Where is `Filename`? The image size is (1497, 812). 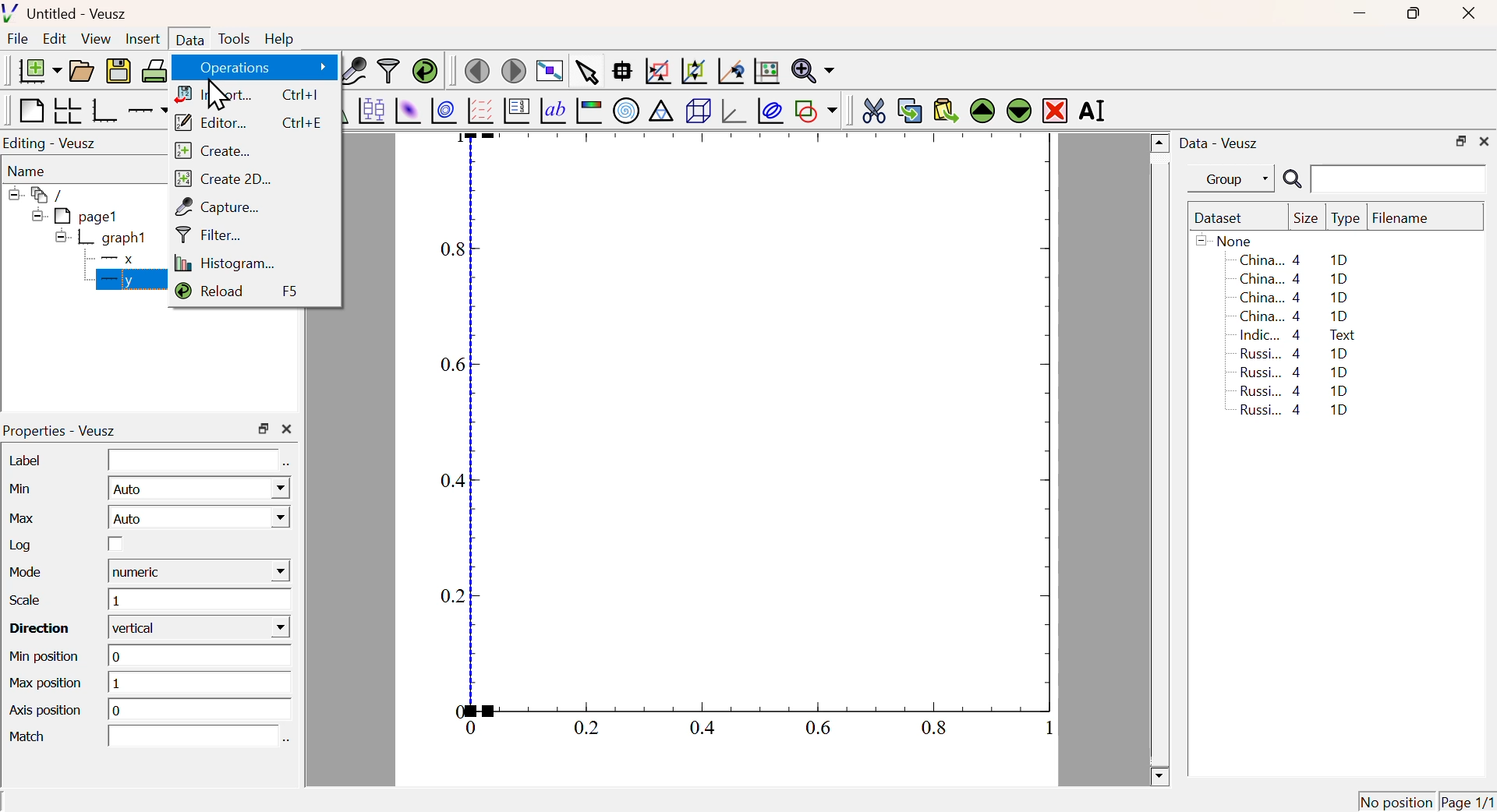 Filename is located at coordinates (1408, 219).